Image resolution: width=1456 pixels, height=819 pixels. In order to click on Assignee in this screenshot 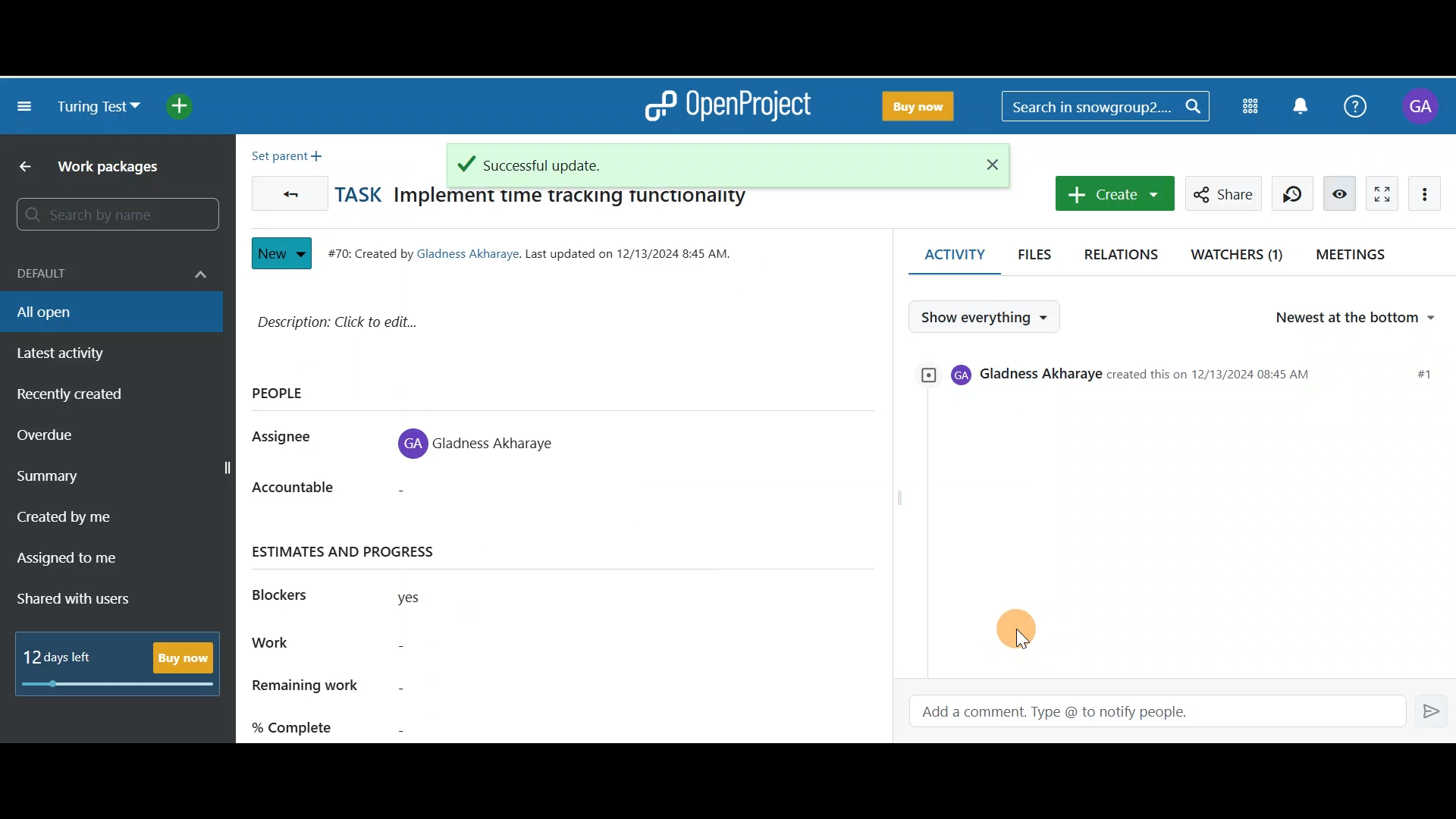, I will do `click(290, 438)`.